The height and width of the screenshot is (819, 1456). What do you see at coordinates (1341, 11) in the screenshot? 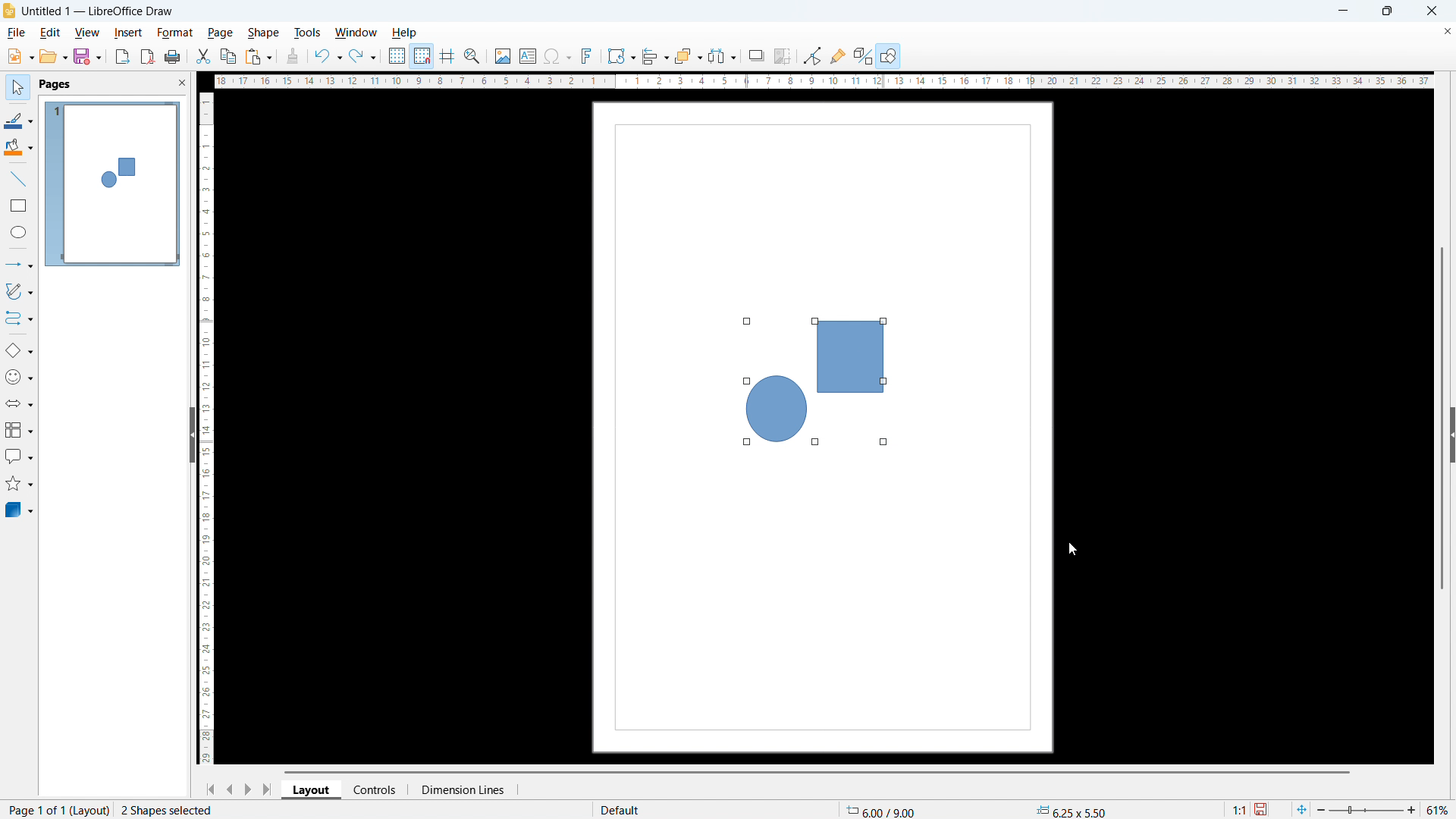
I see `minimize` at bounding box center [1341, 11].